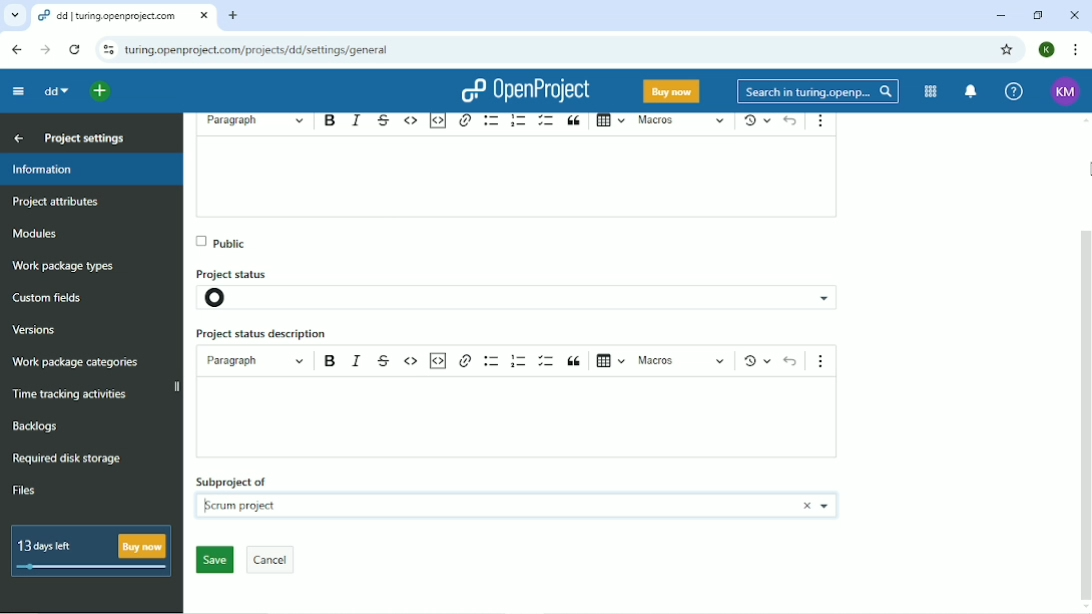 Image resolution: width=1092 pixels, height=614 pixels. Describe the element at coordinates (792, 121) in the screenshot. I see `Undo` at that location.